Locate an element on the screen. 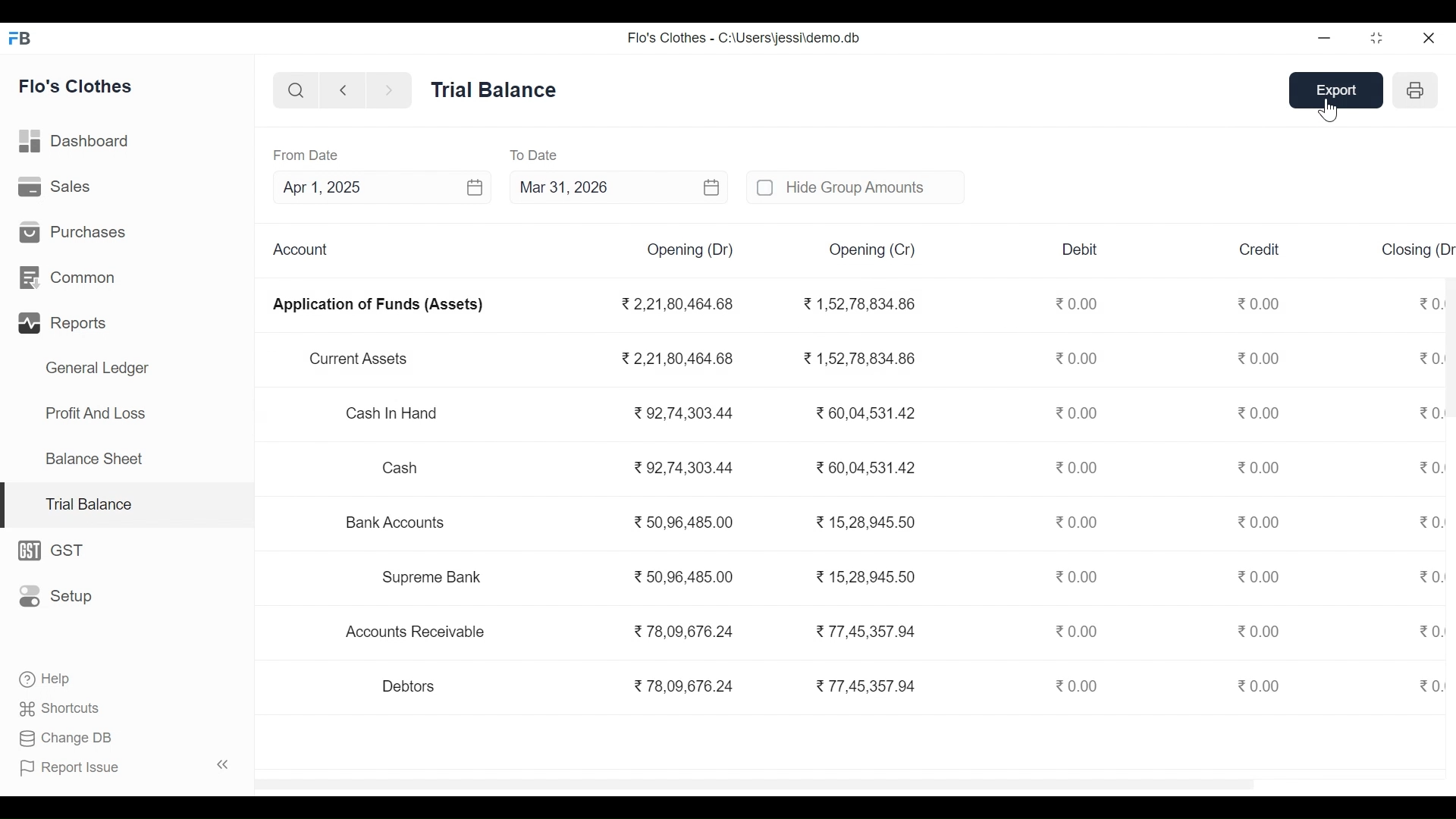 The height and width of the screenshot is (819, 1456). To Date is located at coordinates (537, 154).